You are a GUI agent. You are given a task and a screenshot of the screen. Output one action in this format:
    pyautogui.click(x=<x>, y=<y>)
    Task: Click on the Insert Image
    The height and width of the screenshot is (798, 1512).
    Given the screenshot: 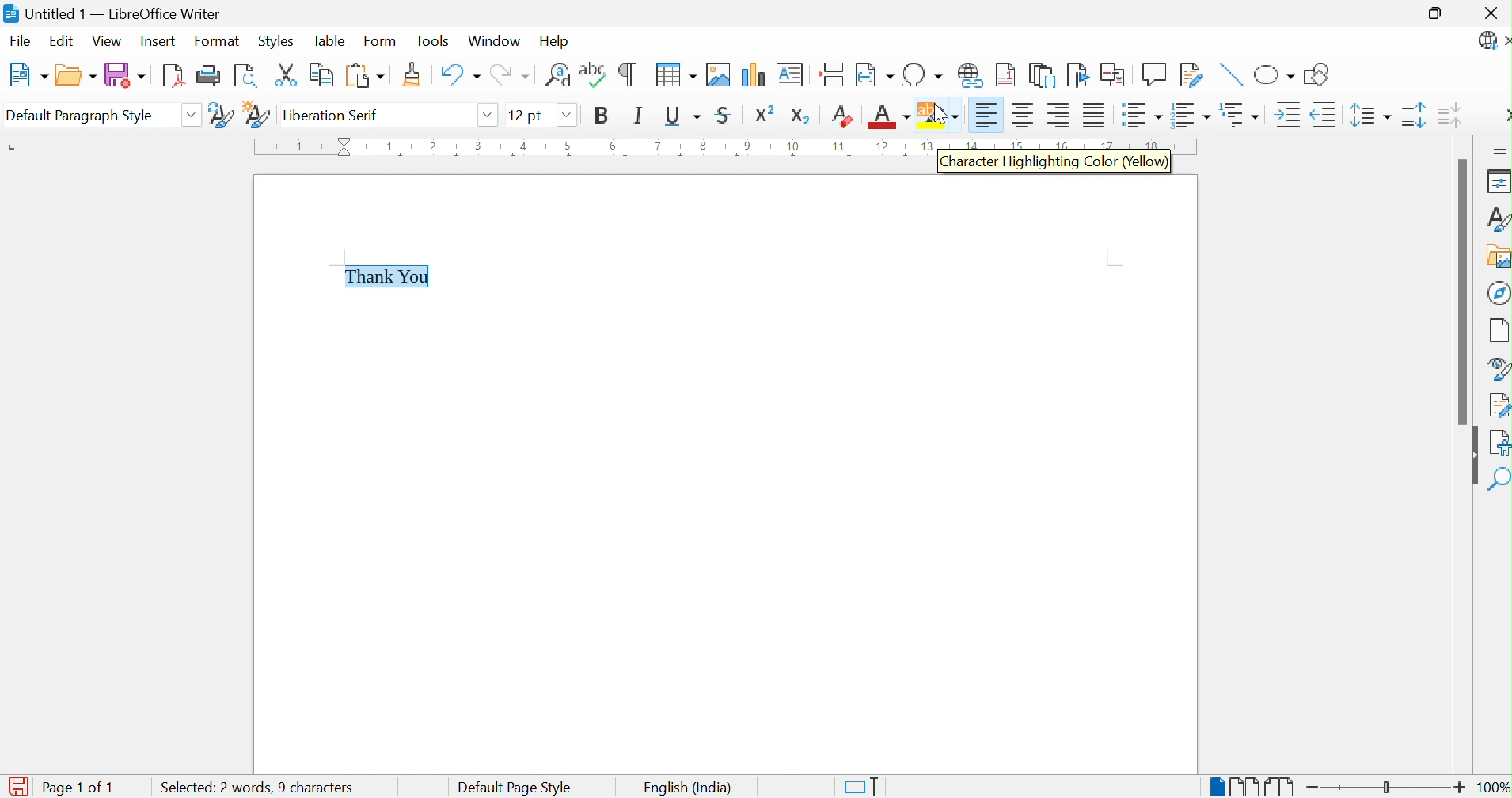 What is the action you would take?
    pyautogui.click(x=716, y=74)
    